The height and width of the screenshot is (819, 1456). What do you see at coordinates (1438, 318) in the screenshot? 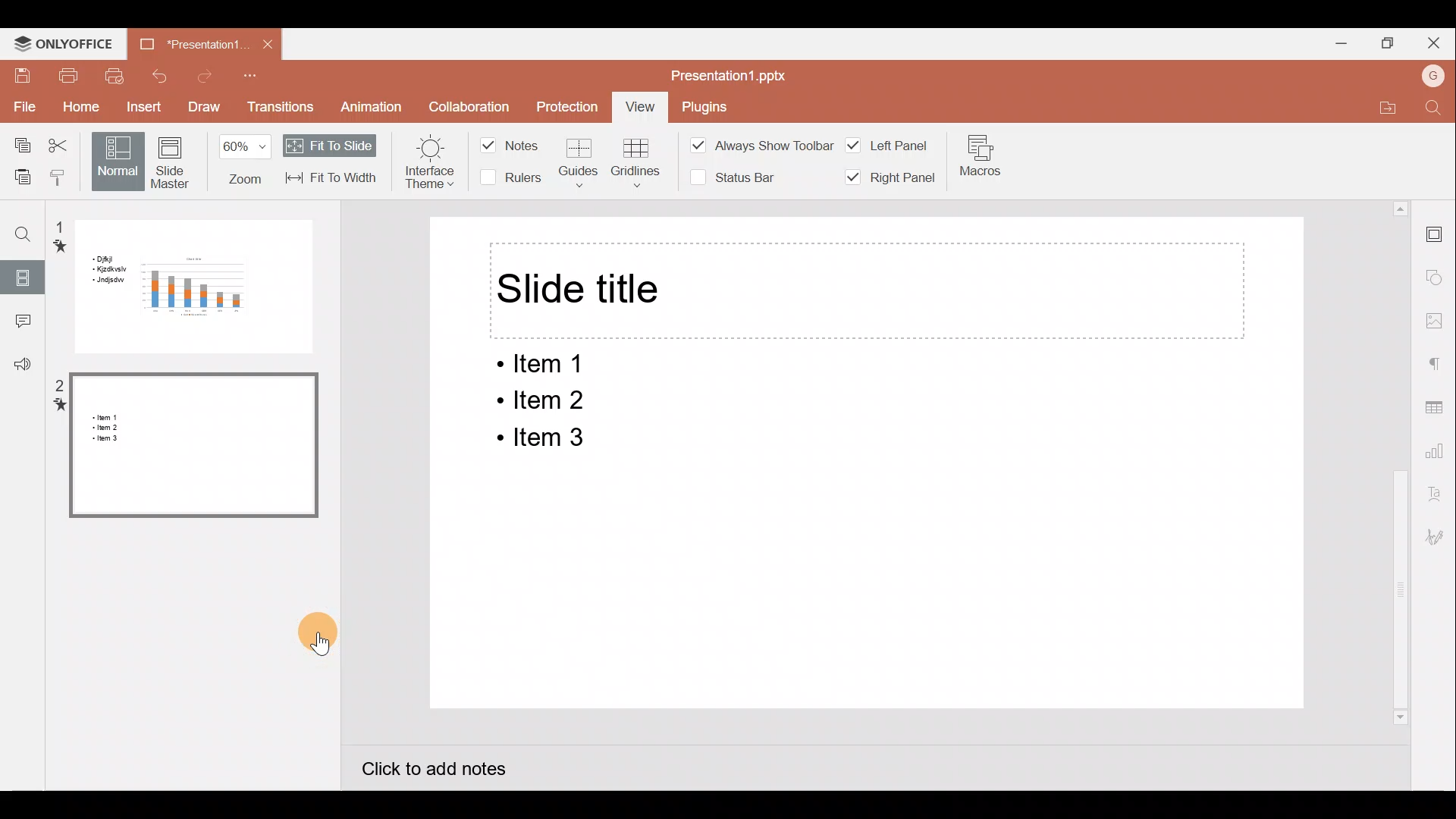
I see `Image settings` at bounding box center [1438, 318].